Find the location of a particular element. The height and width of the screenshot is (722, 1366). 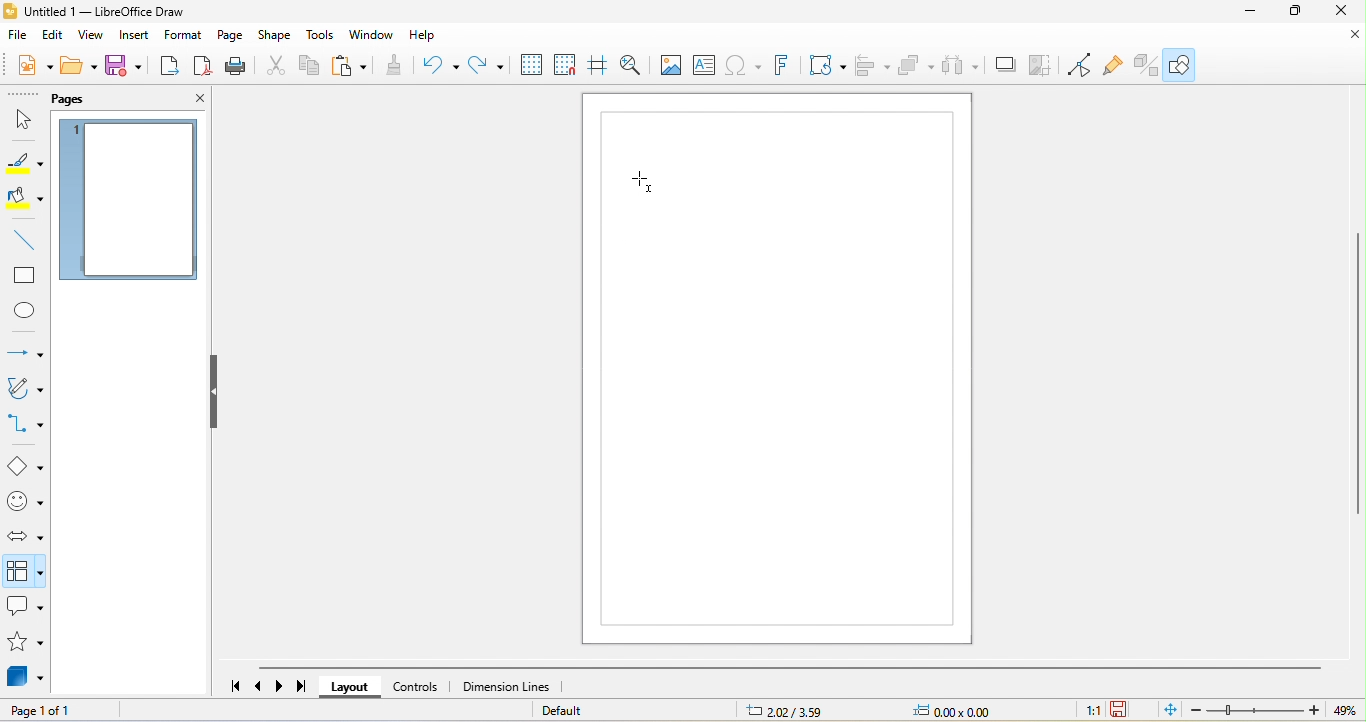

helplines while moving is located at coordinates (601, 66).